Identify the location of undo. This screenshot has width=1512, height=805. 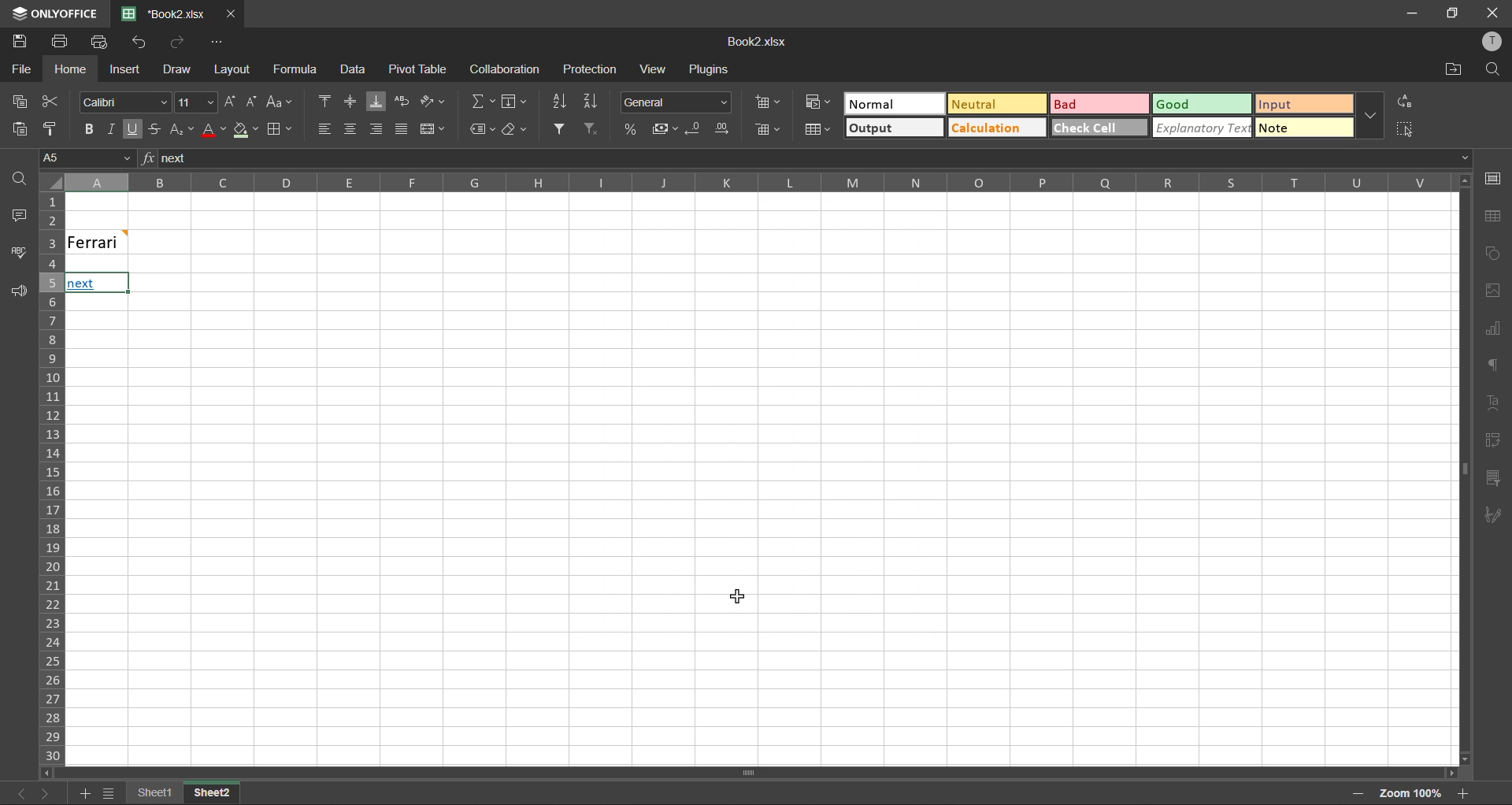
(139, 42).